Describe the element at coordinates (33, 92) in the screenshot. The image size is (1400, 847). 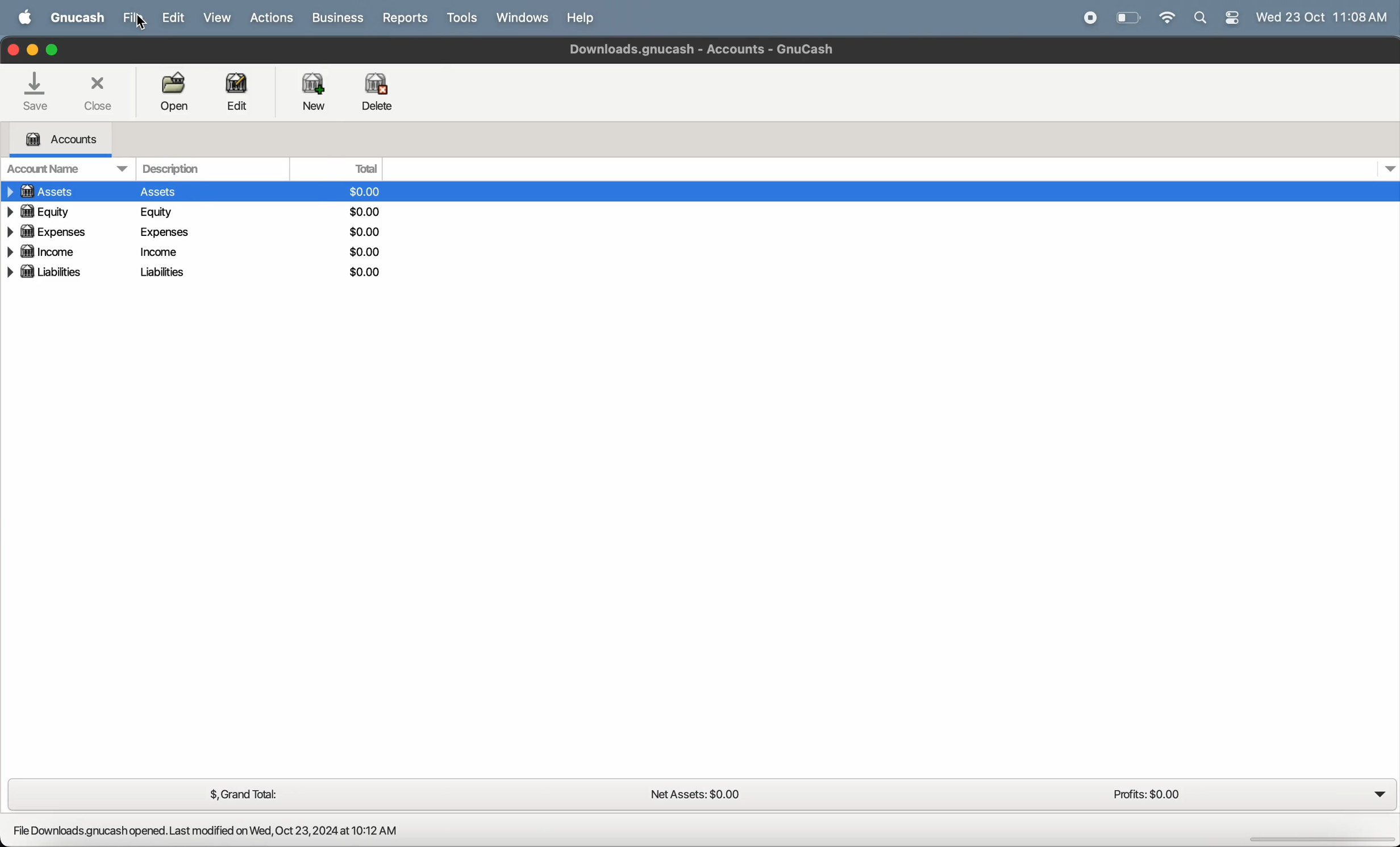
I see `save` at that location.